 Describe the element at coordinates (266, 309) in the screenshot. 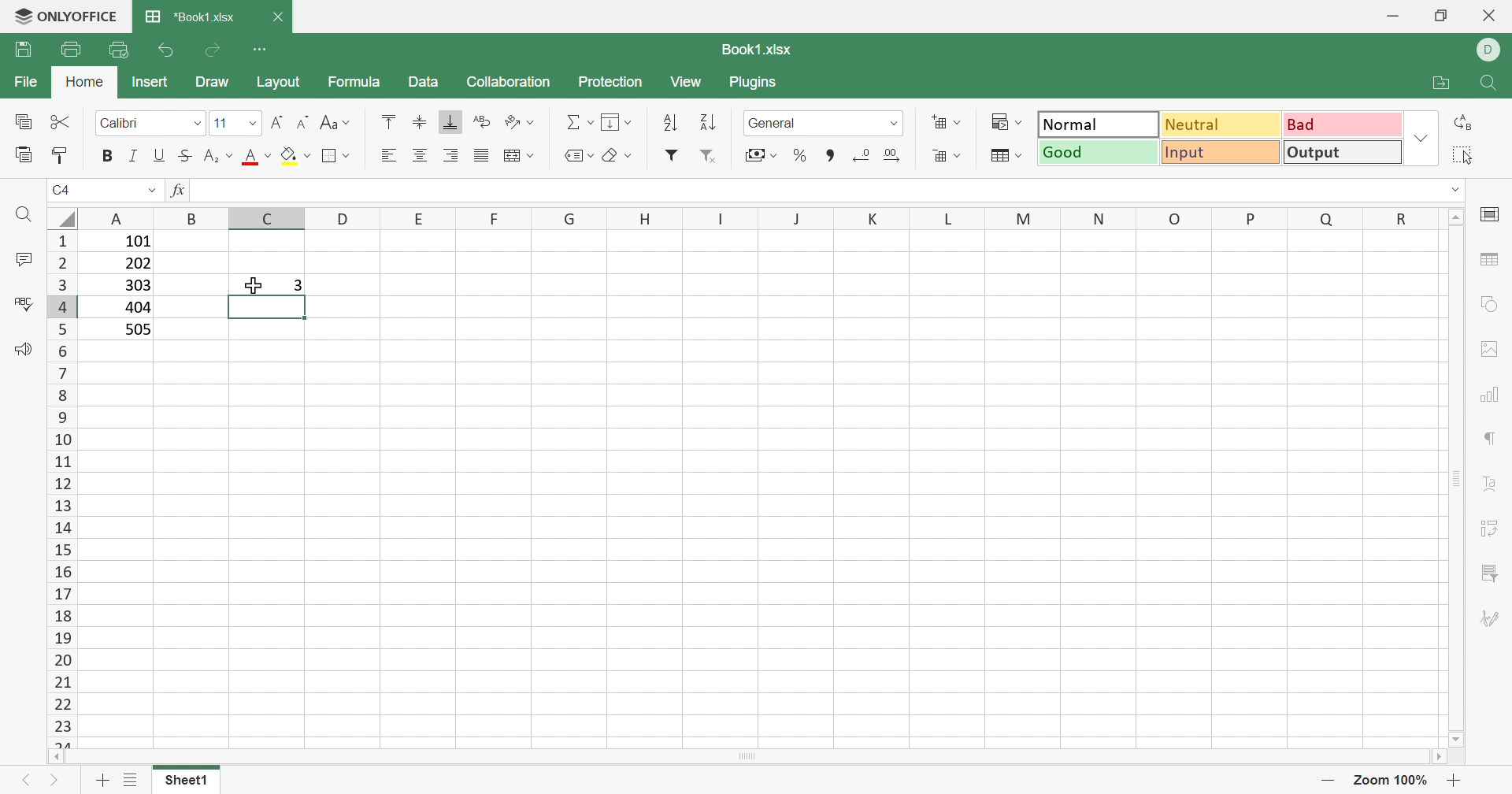

I see `selected cell` at that location.